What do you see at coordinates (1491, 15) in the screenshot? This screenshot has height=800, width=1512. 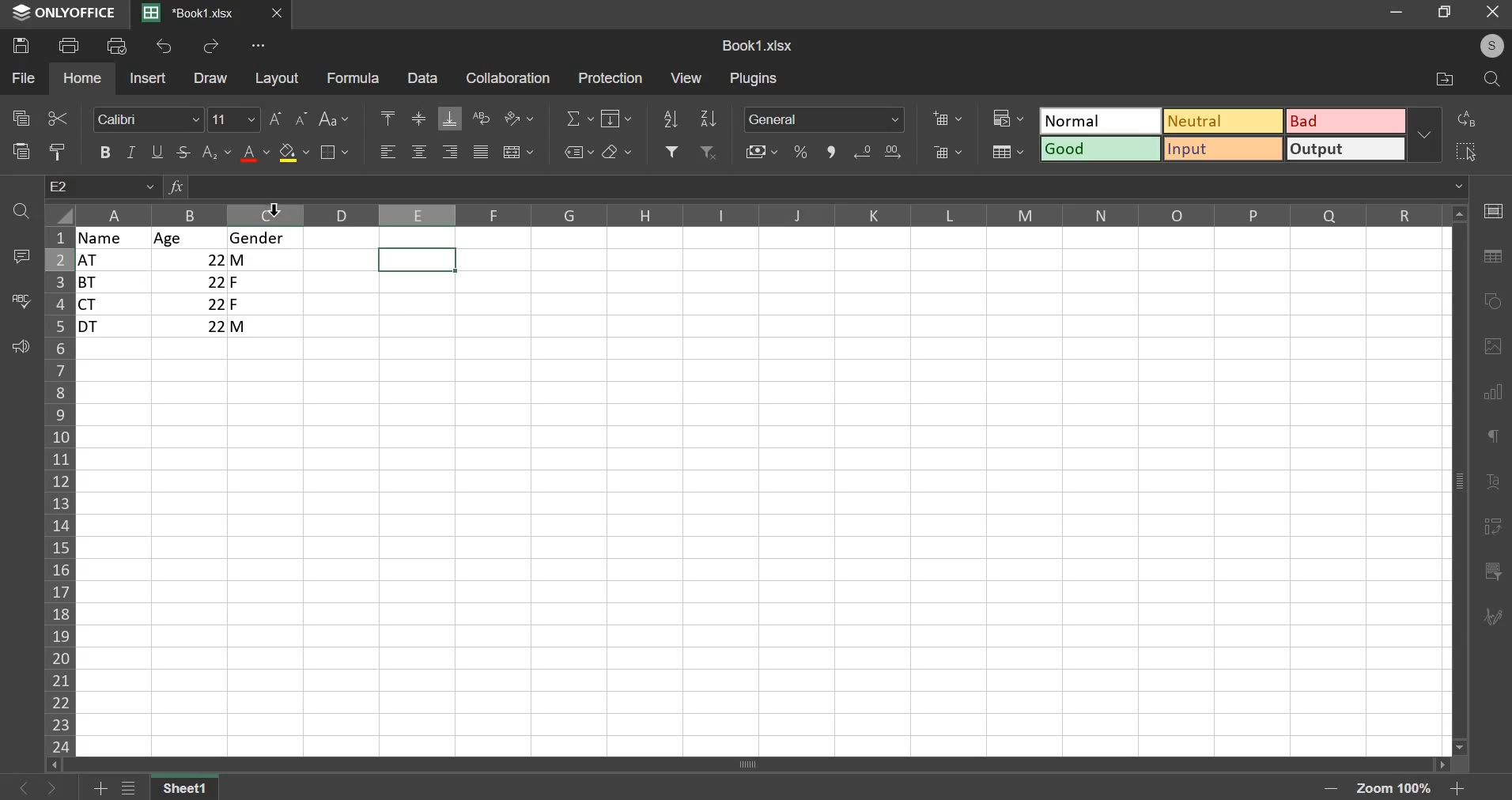 I see `close window` at bounding box center [1491, 15].